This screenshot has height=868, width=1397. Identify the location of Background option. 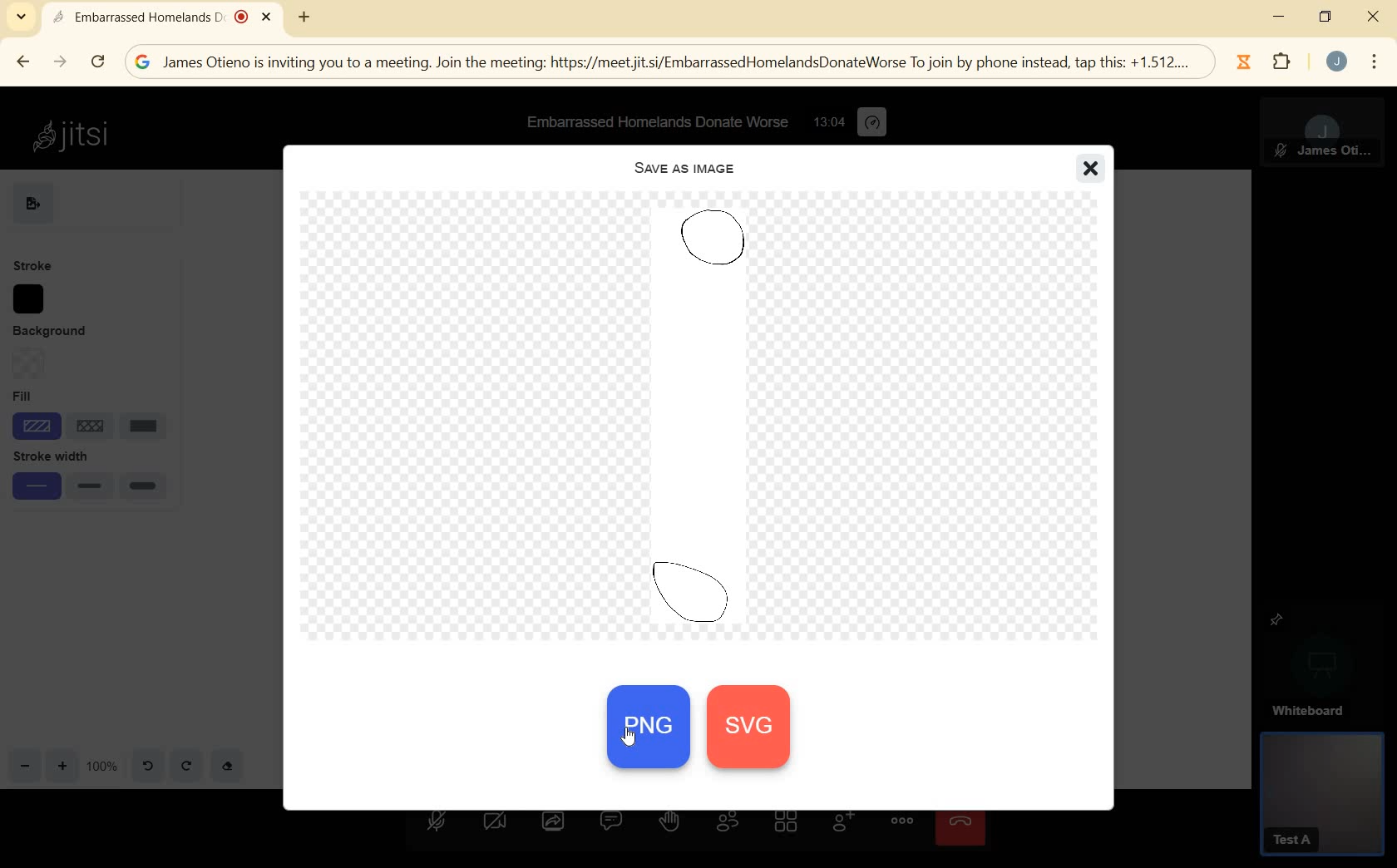
(30, 365).